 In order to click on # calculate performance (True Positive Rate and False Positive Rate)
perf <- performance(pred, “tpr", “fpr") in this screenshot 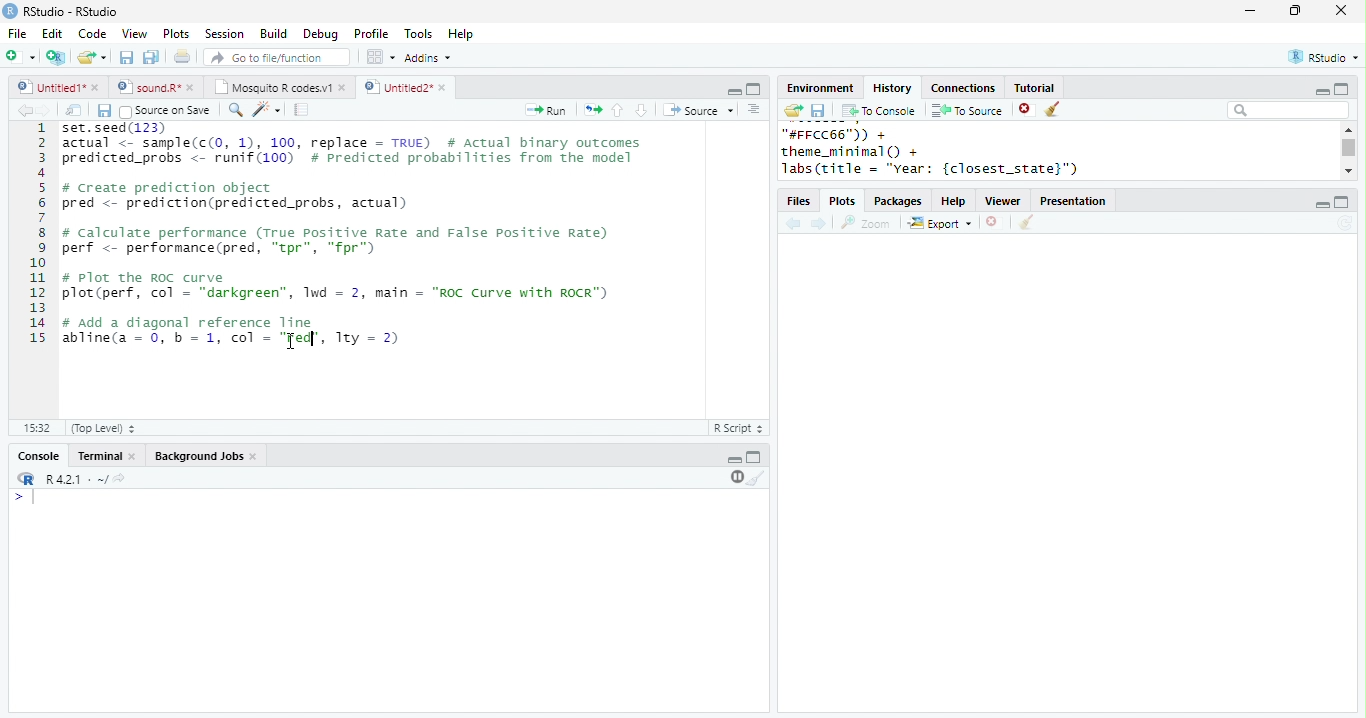, I will do `click(336, 240)`.